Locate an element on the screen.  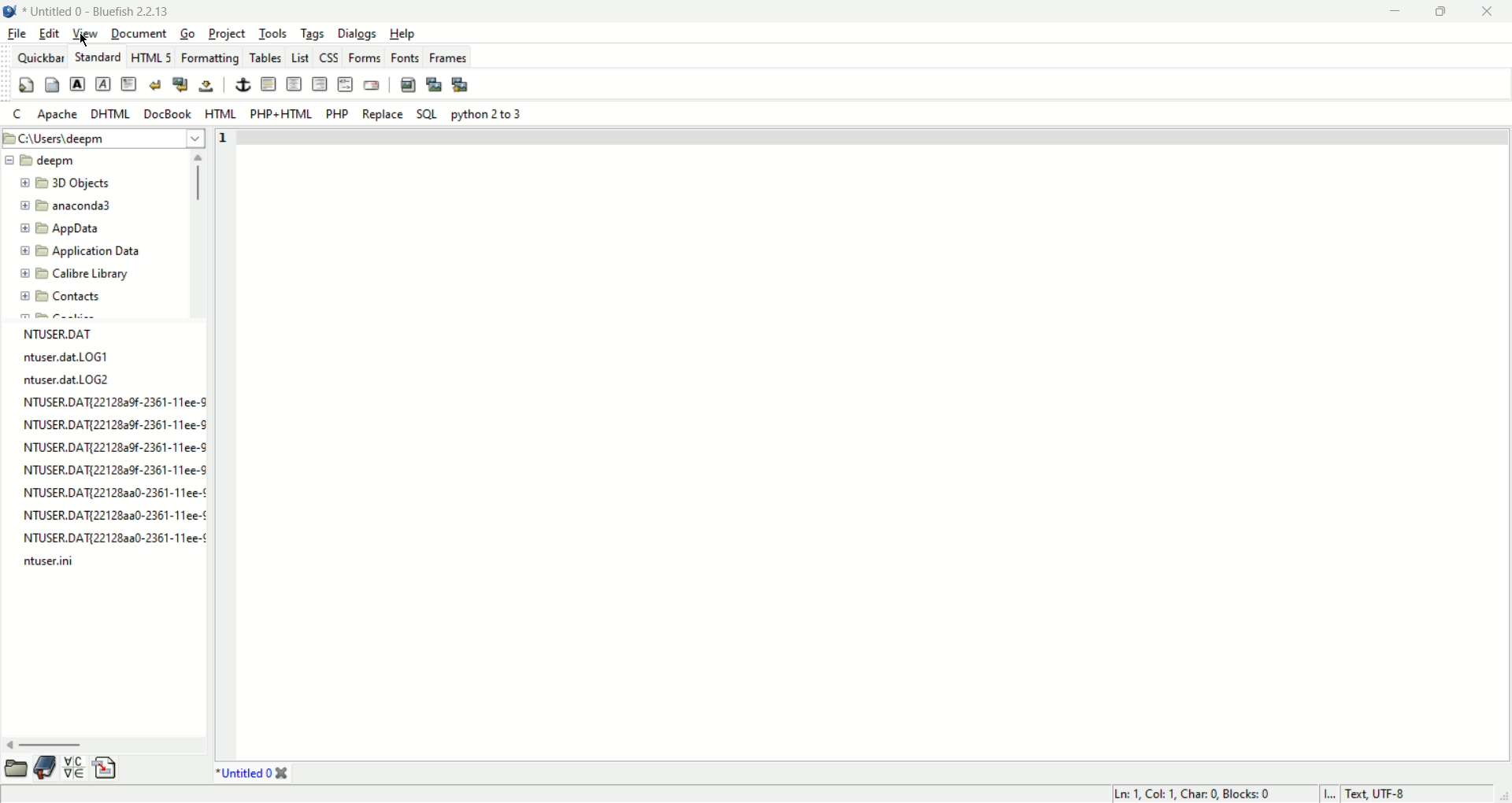
frames is located at coordinates (448, 57).